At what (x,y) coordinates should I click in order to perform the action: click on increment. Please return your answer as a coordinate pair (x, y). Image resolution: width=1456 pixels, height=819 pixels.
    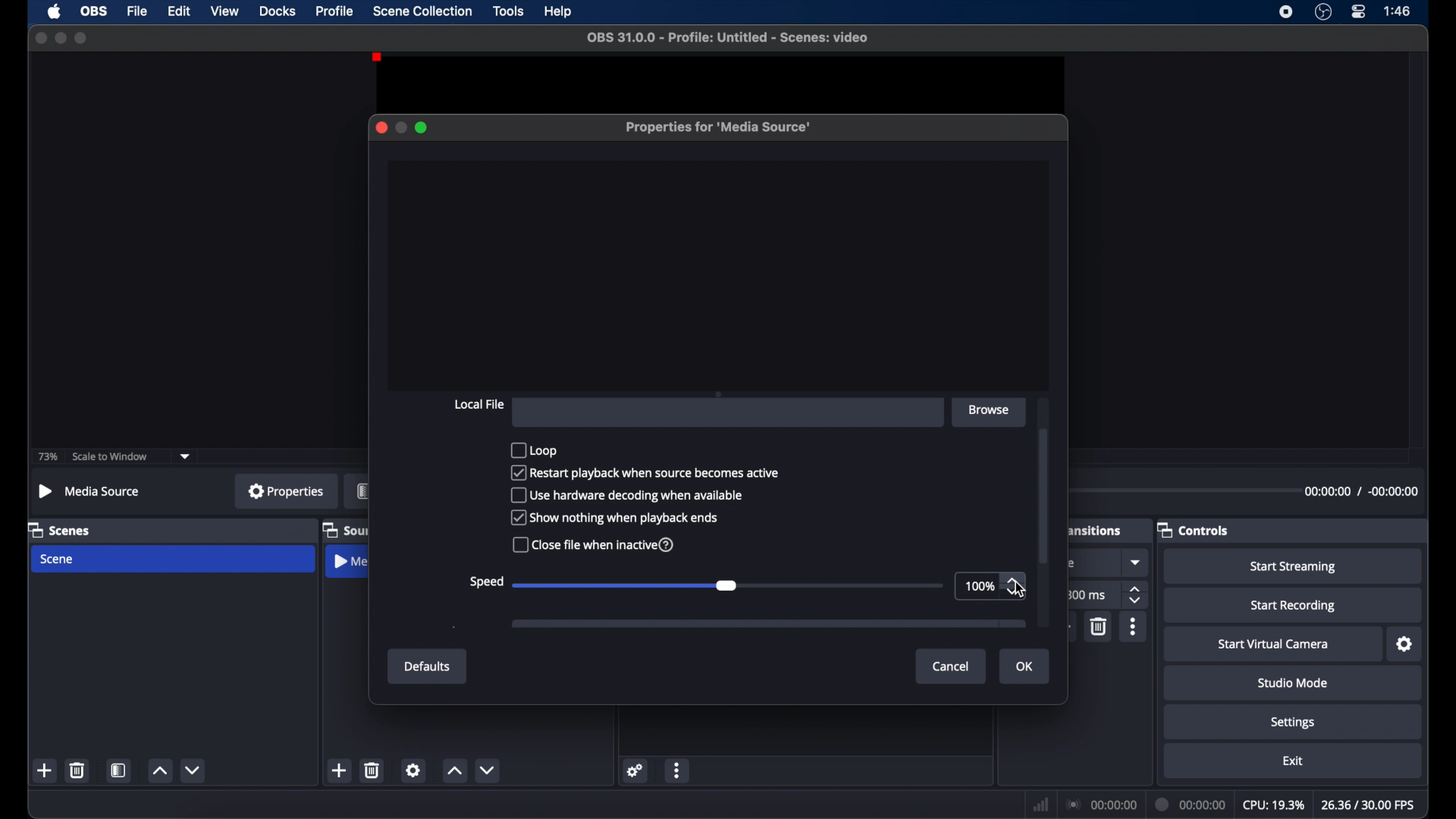
    Looking at the image, I should click on (160, 770).